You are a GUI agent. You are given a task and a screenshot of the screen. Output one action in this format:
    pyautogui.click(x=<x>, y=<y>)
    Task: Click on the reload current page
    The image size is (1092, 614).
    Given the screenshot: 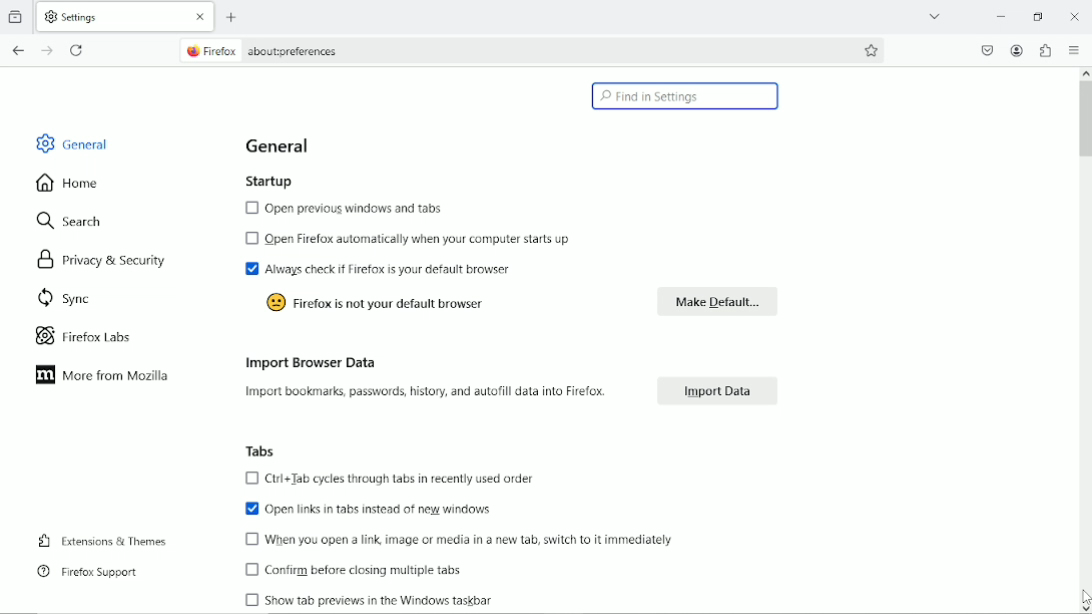 What is the action you would take?
    pyautogui.click(x=78, y=49)
    